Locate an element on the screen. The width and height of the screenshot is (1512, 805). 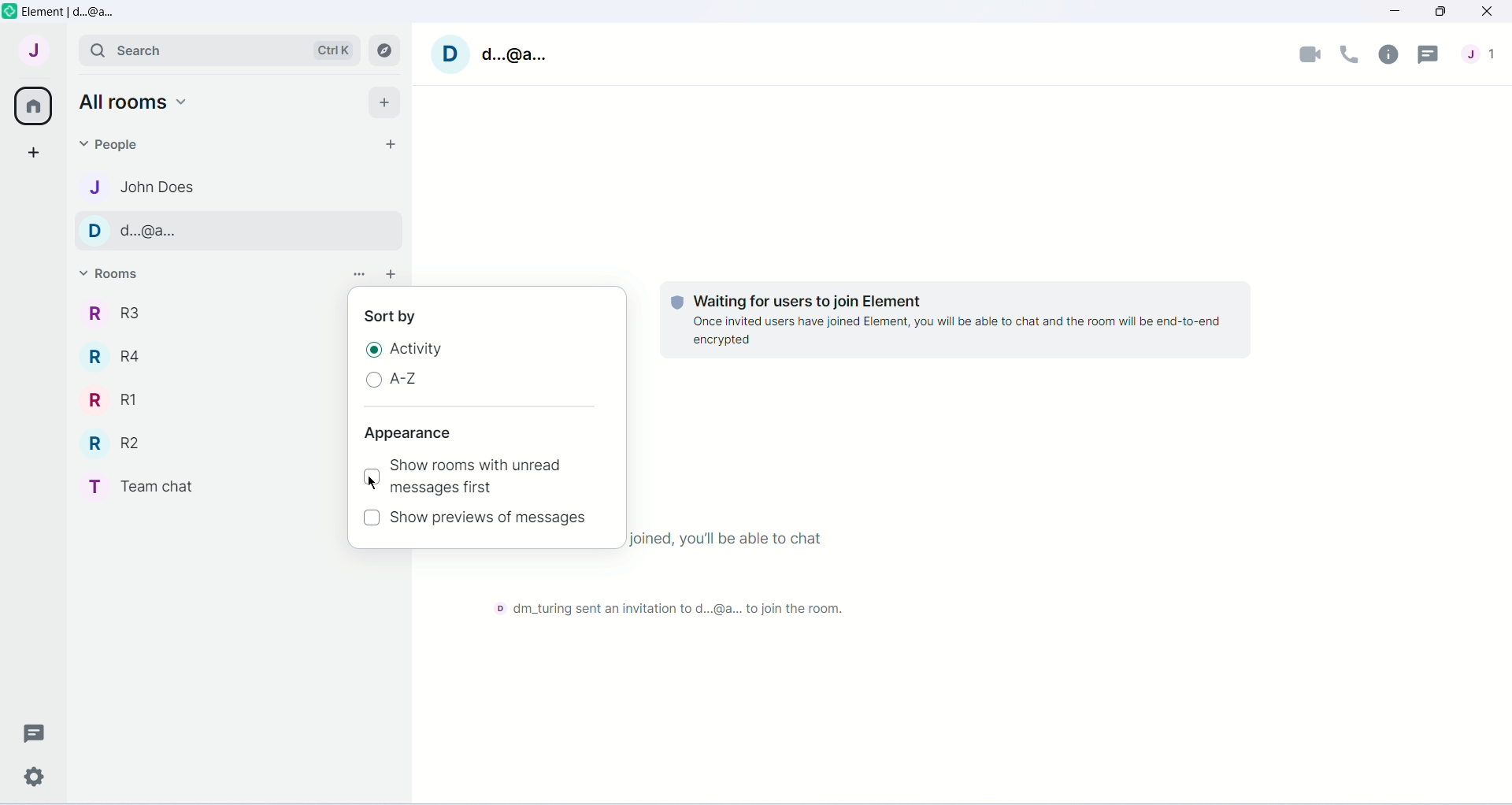
User name-d..@a is located at coordinates (511, 53).